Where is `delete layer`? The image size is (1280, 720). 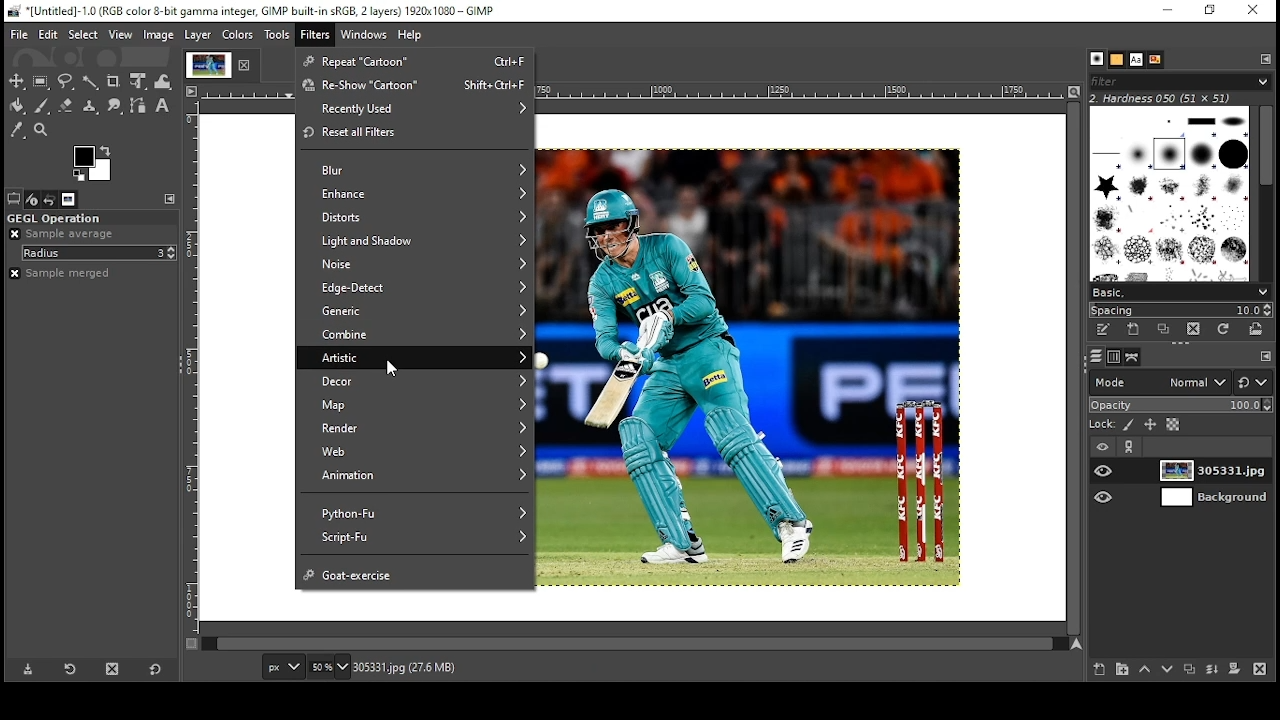 delete layer is located at coordinates (1262, 671).